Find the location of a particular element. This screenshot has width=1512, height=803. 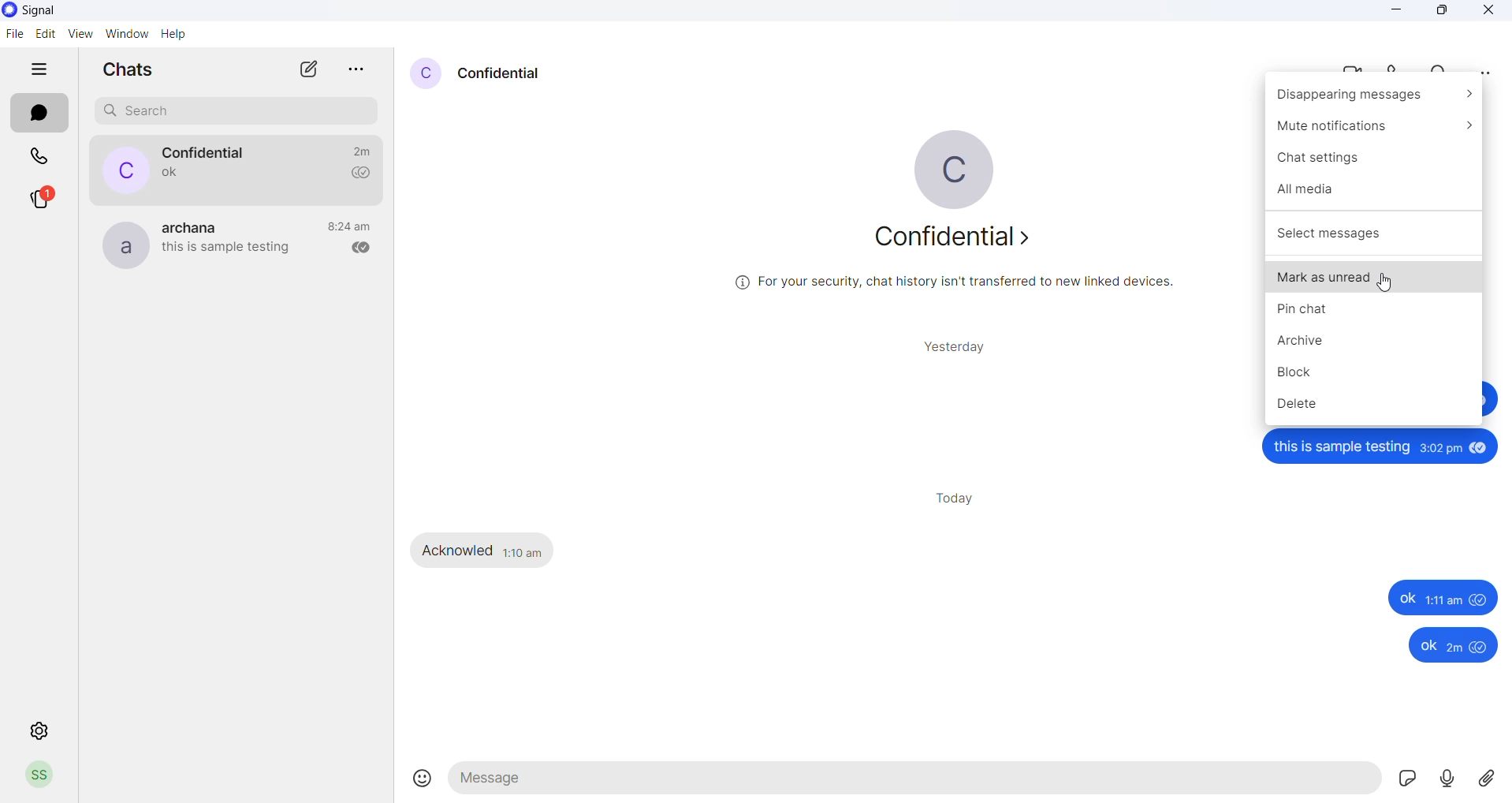

yesterday heading is located at coordinates (959, 346).